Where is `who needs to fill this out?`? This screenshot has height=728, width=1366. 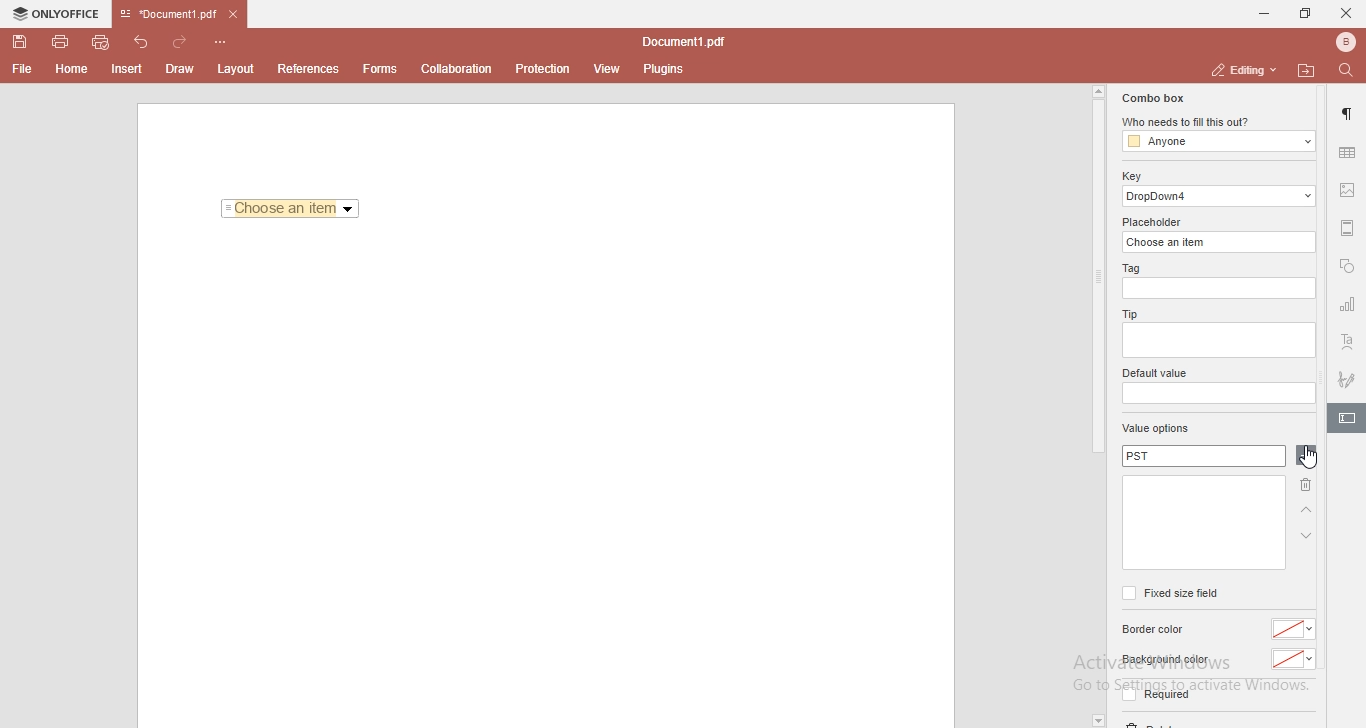 who needs to fill this out? is located at coordinates (1216, 123).